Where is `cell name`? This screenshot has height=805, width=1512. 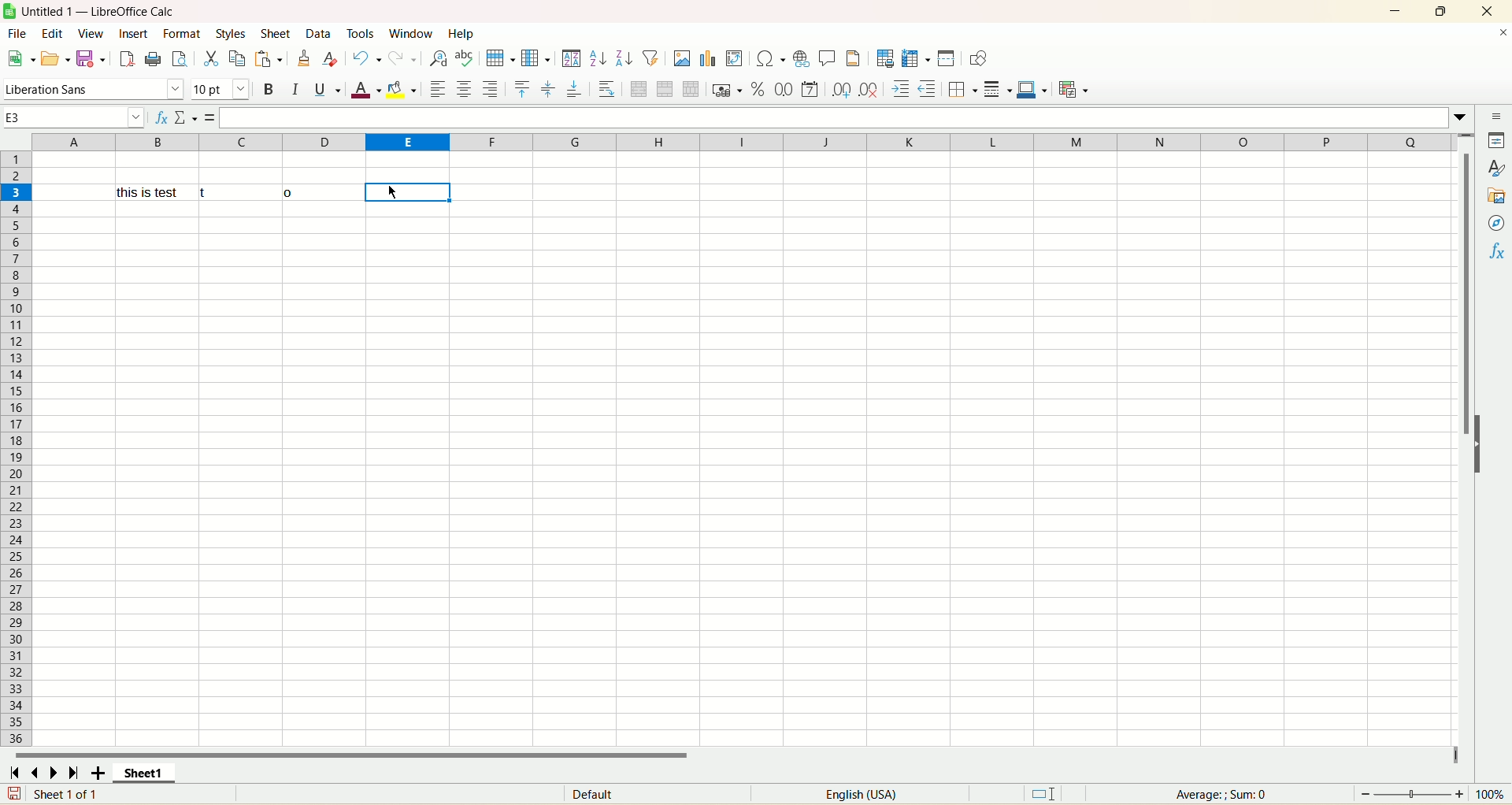
cell name is located at coordinates (74, 118).